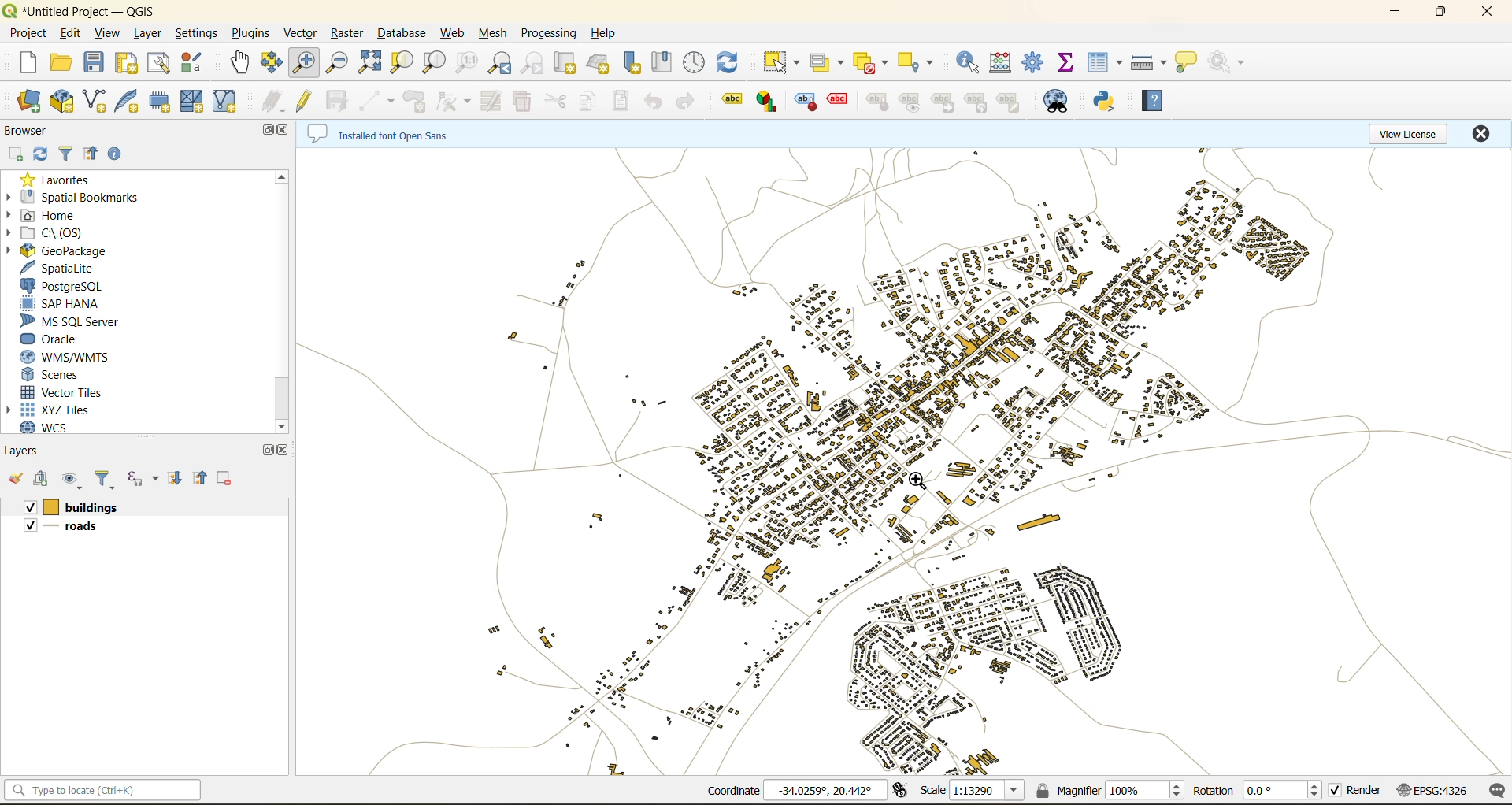  Describe the element at coordinates (1357, 793) in the screenshot. I see `render` at that location.